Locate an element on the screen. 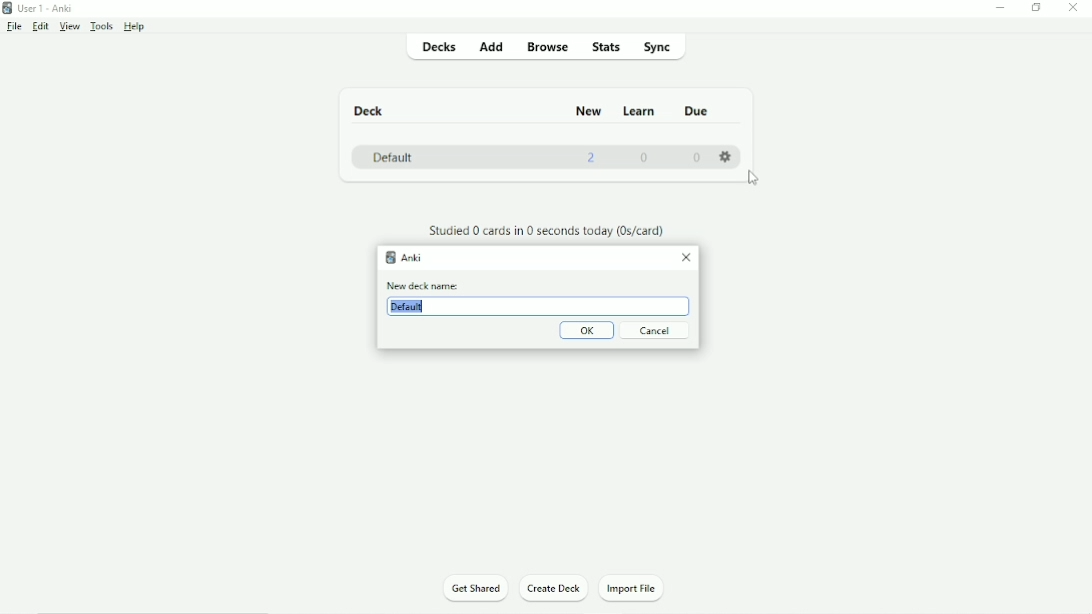  Stats is located at coordinates (608, 46).